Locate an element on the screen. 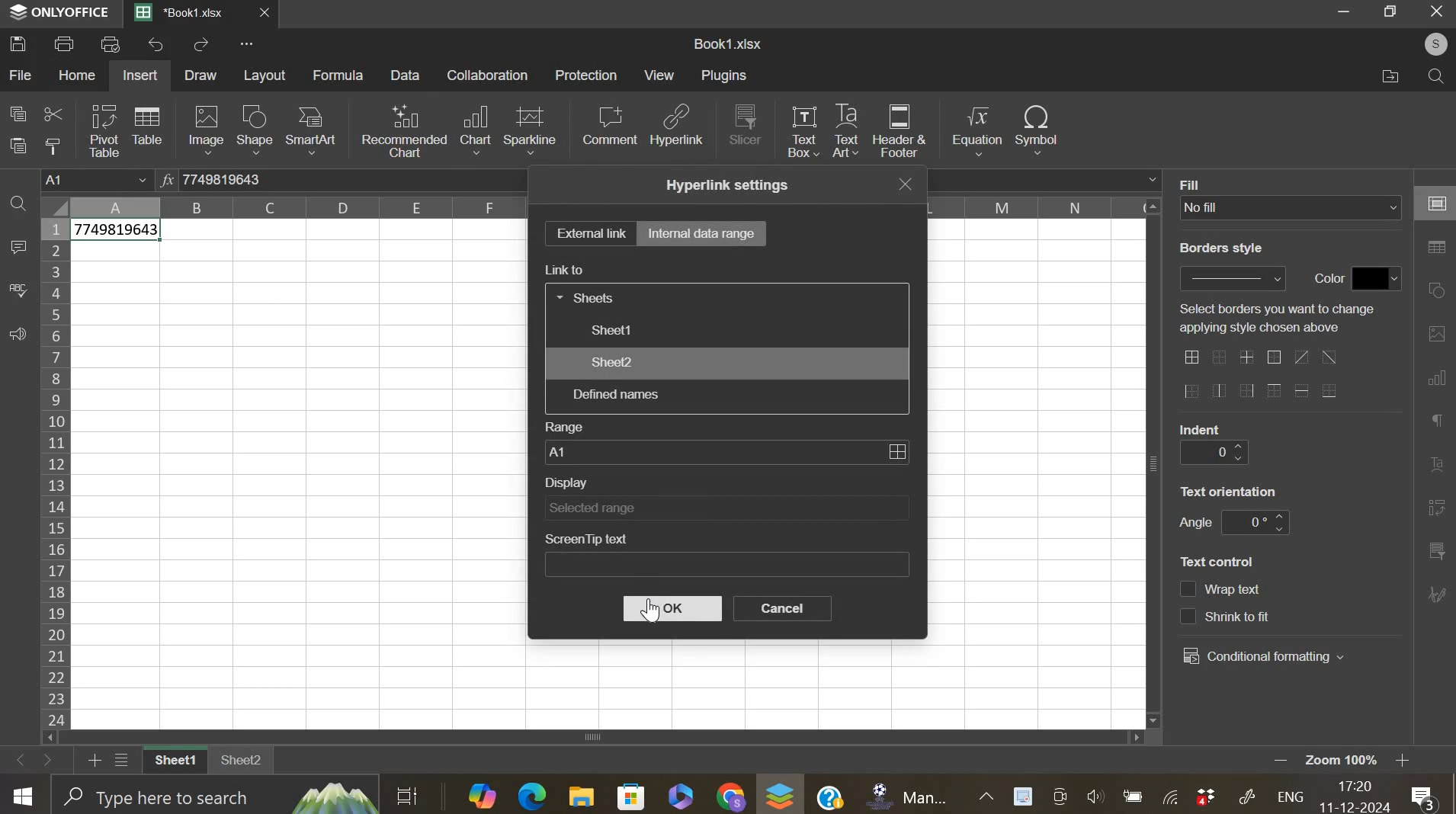  defined names is located at coordinates (614, 394).